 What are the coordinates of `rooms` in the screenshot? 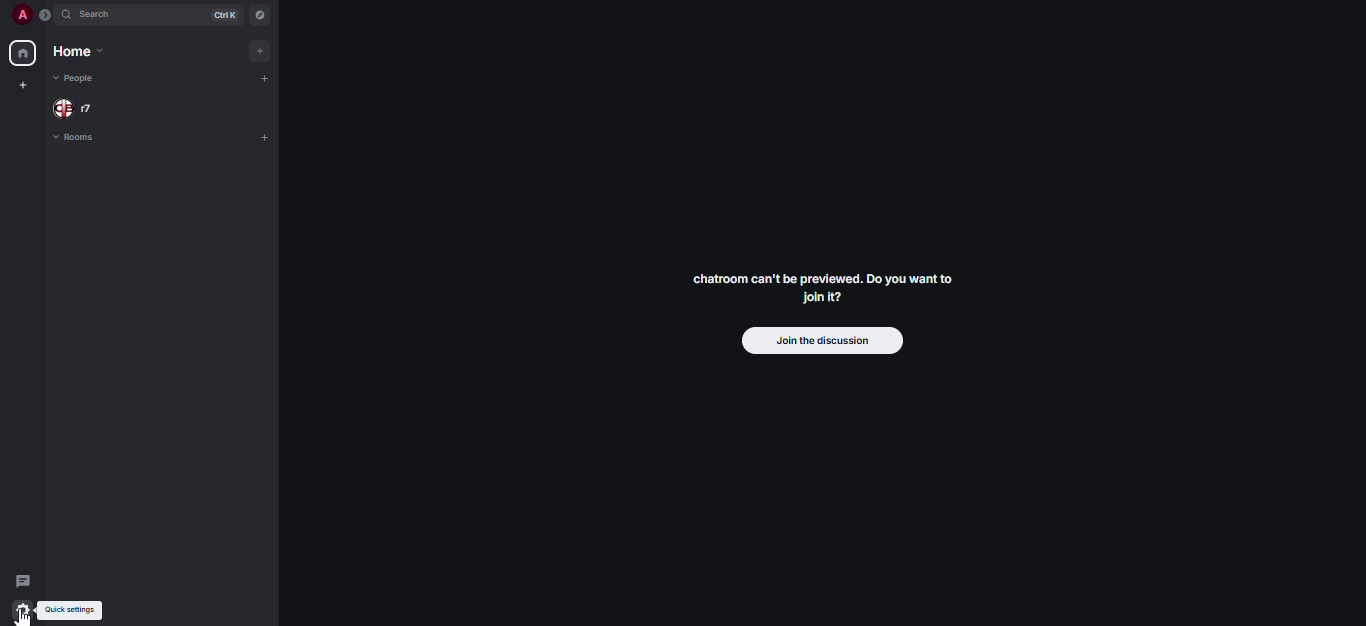 It's located at (82, 137).